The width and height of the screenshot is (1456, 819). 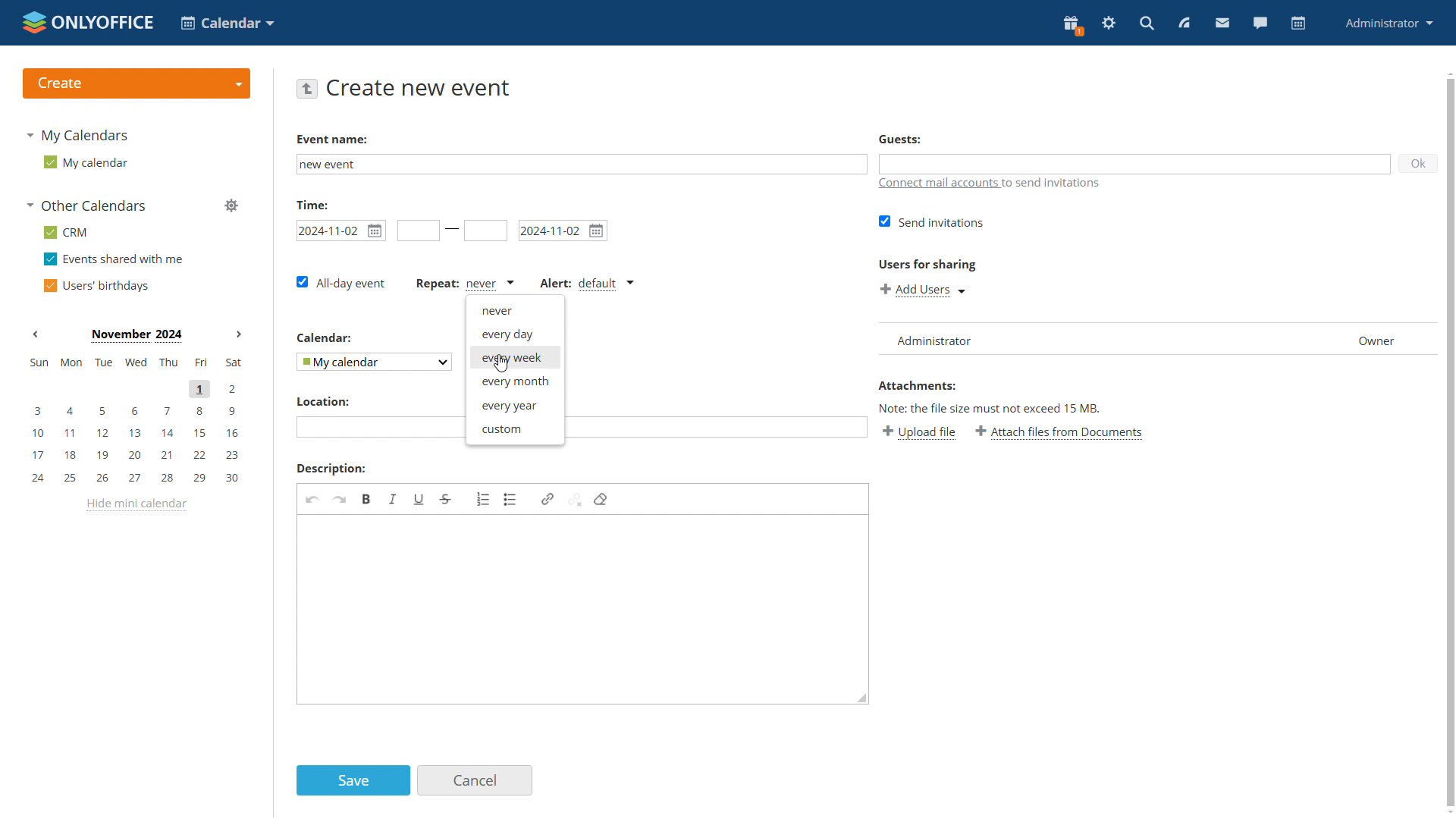 I want to click on create new event, so click(x=421, y=87).